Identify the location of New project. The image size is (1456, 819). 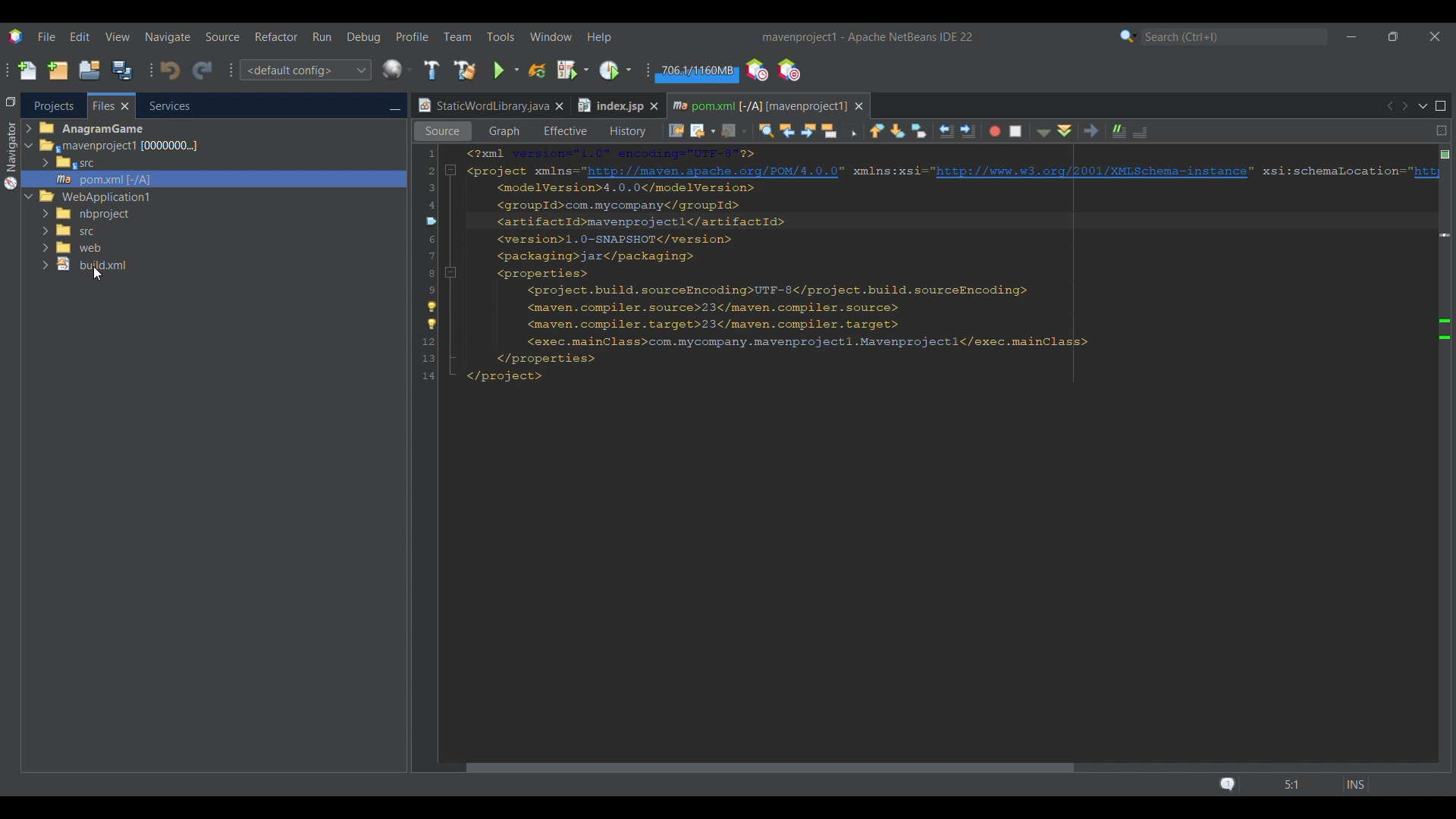
(58, 70).